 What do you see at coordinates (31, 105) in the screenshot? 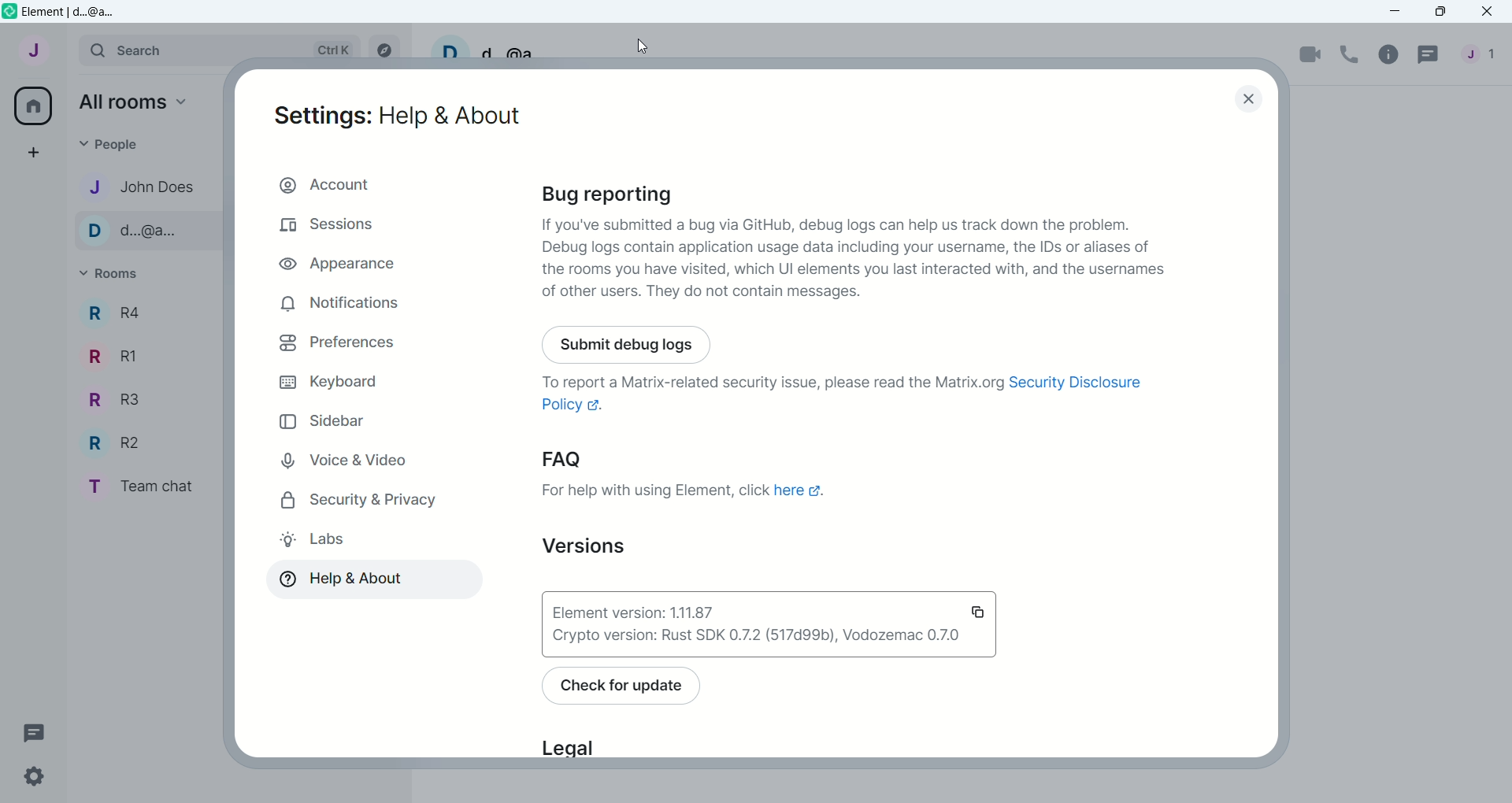
I see `All Rooms` at bounding box center [31, 105].